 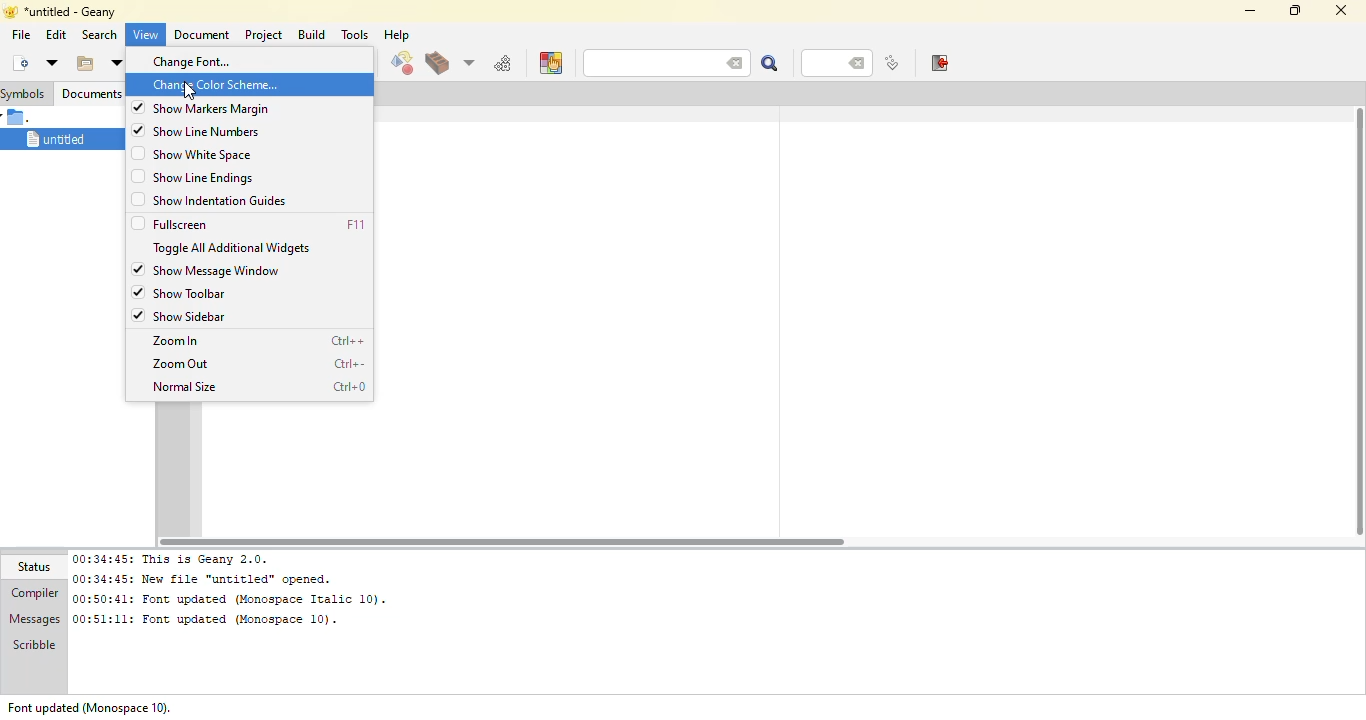 I want to click on show line numbers, so click(x=216, y=132).